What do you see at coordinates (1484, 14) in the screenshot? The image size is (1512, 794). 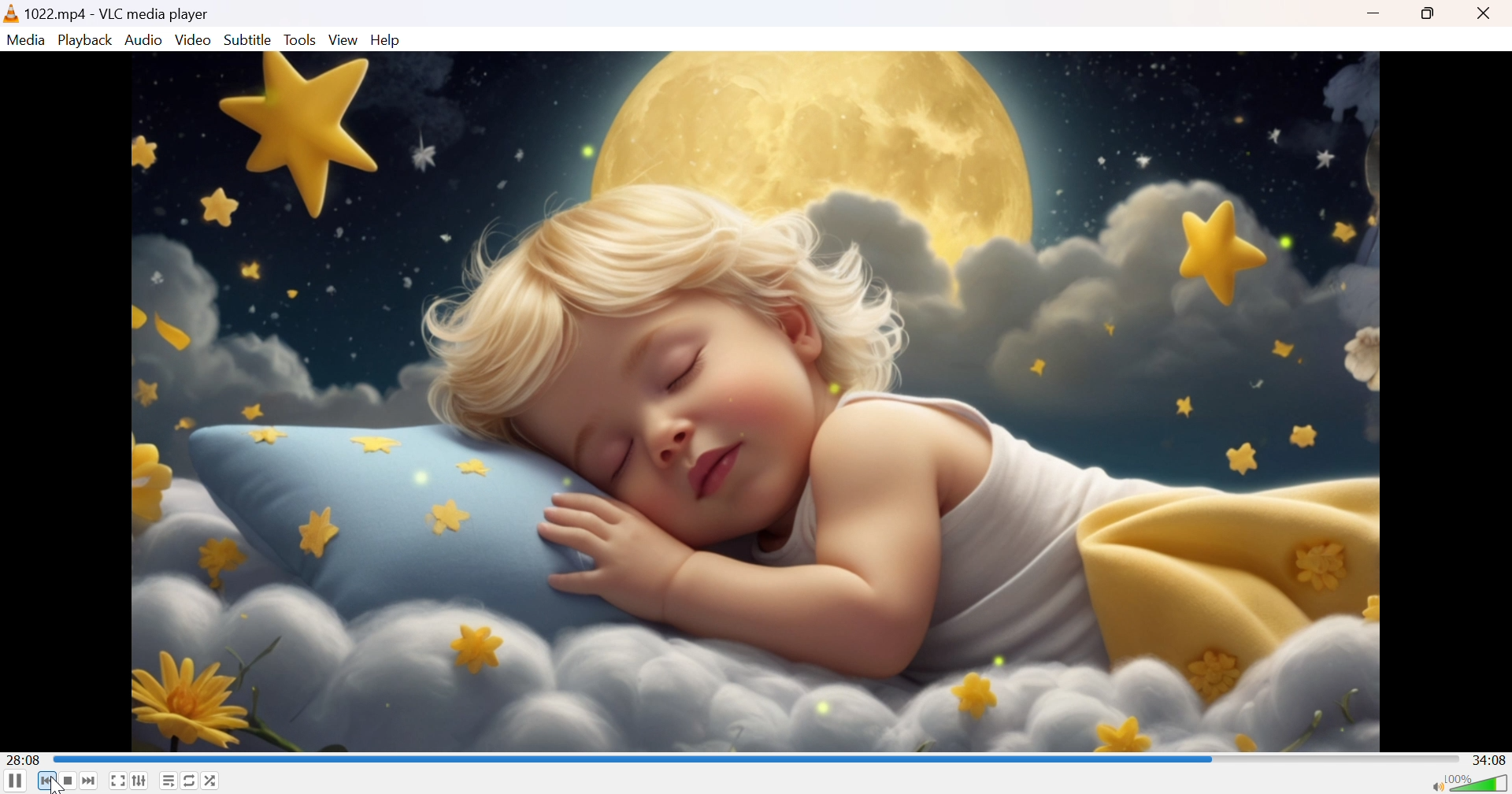 I see `Close` at bounding box center [1484, 14].